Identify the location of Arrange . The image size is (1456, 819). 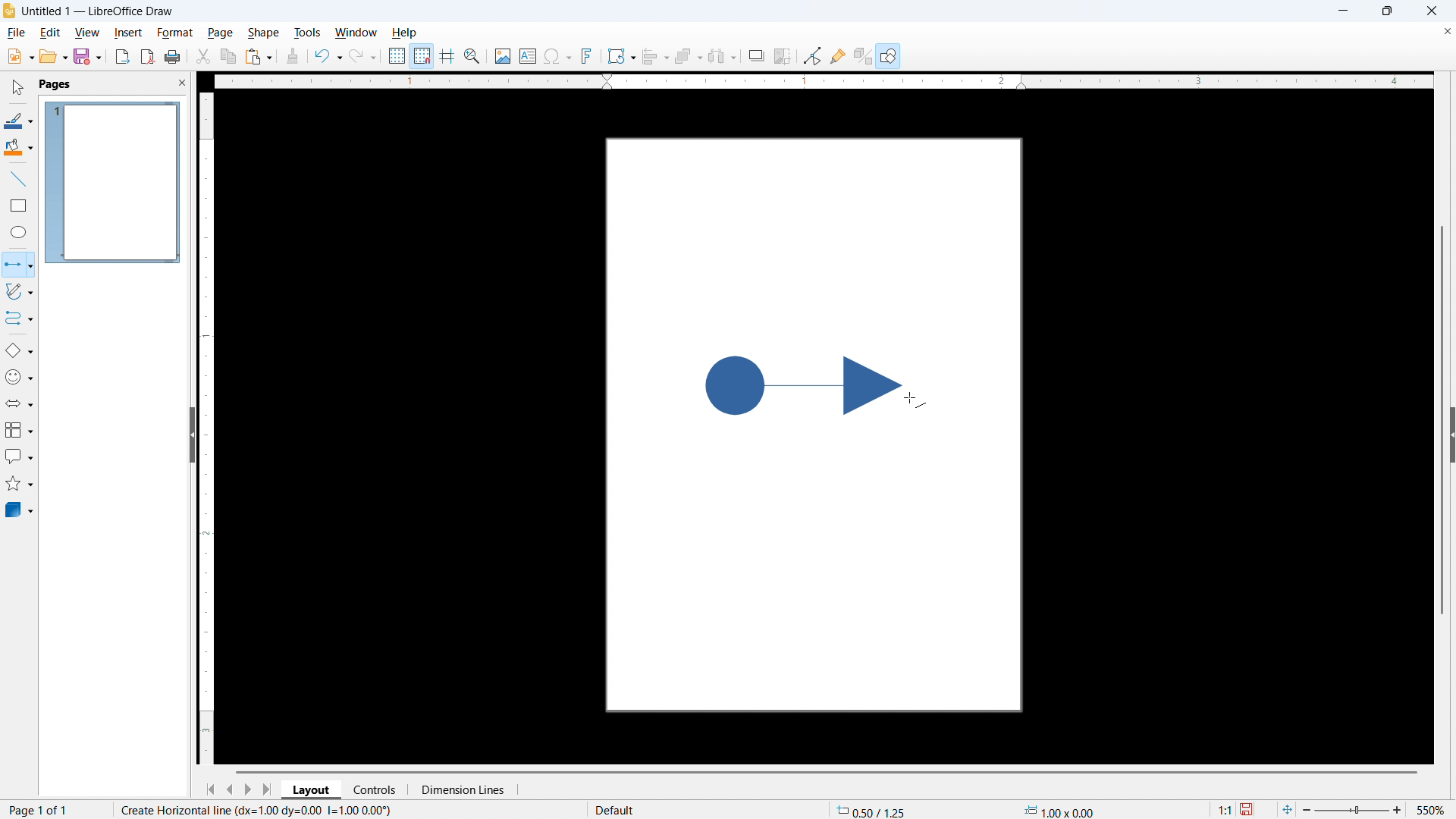
(689, 57).